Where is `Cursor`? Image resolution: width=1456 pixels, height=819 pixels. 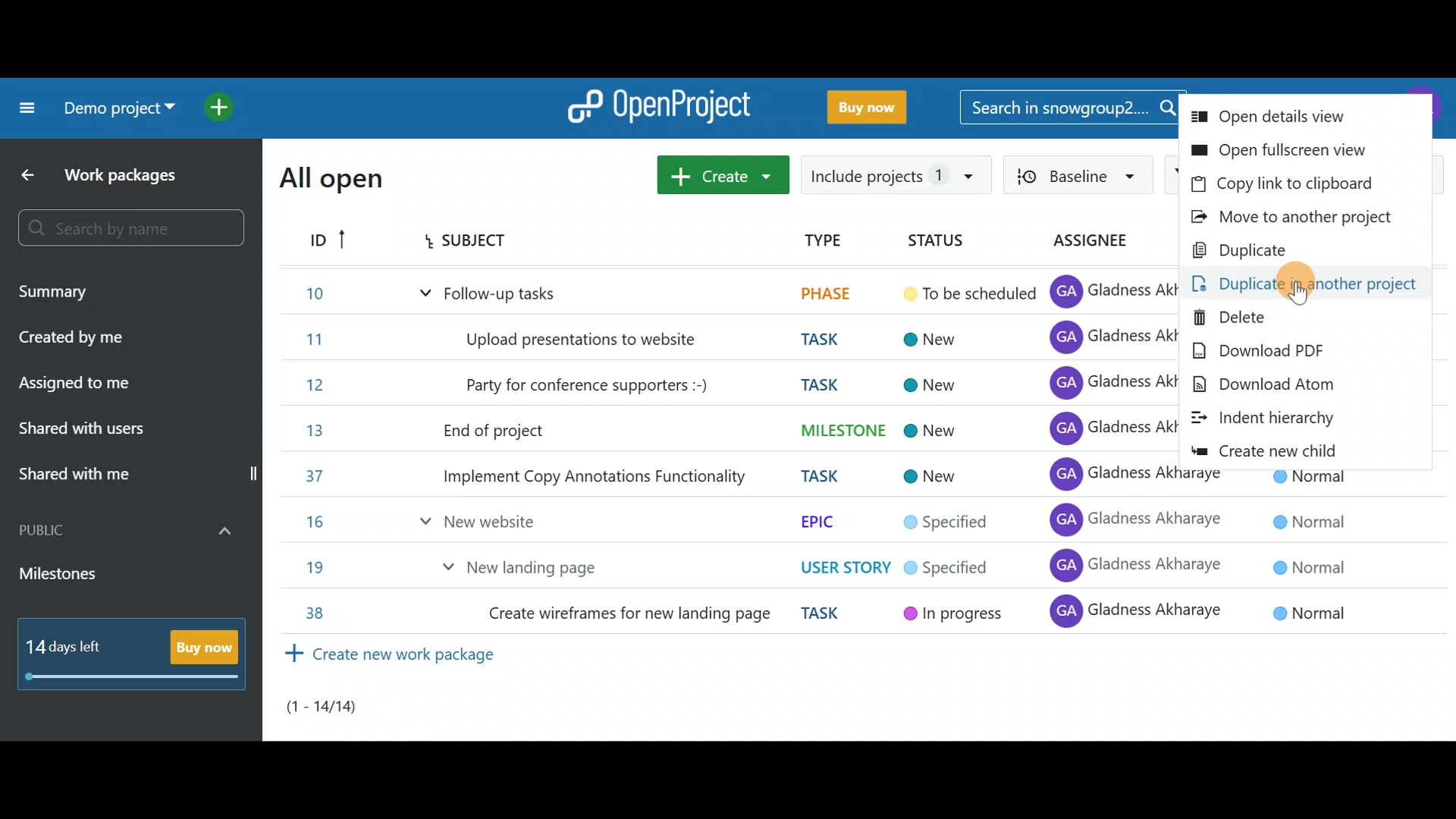
Cursor is located at coordinates (1315, 285).